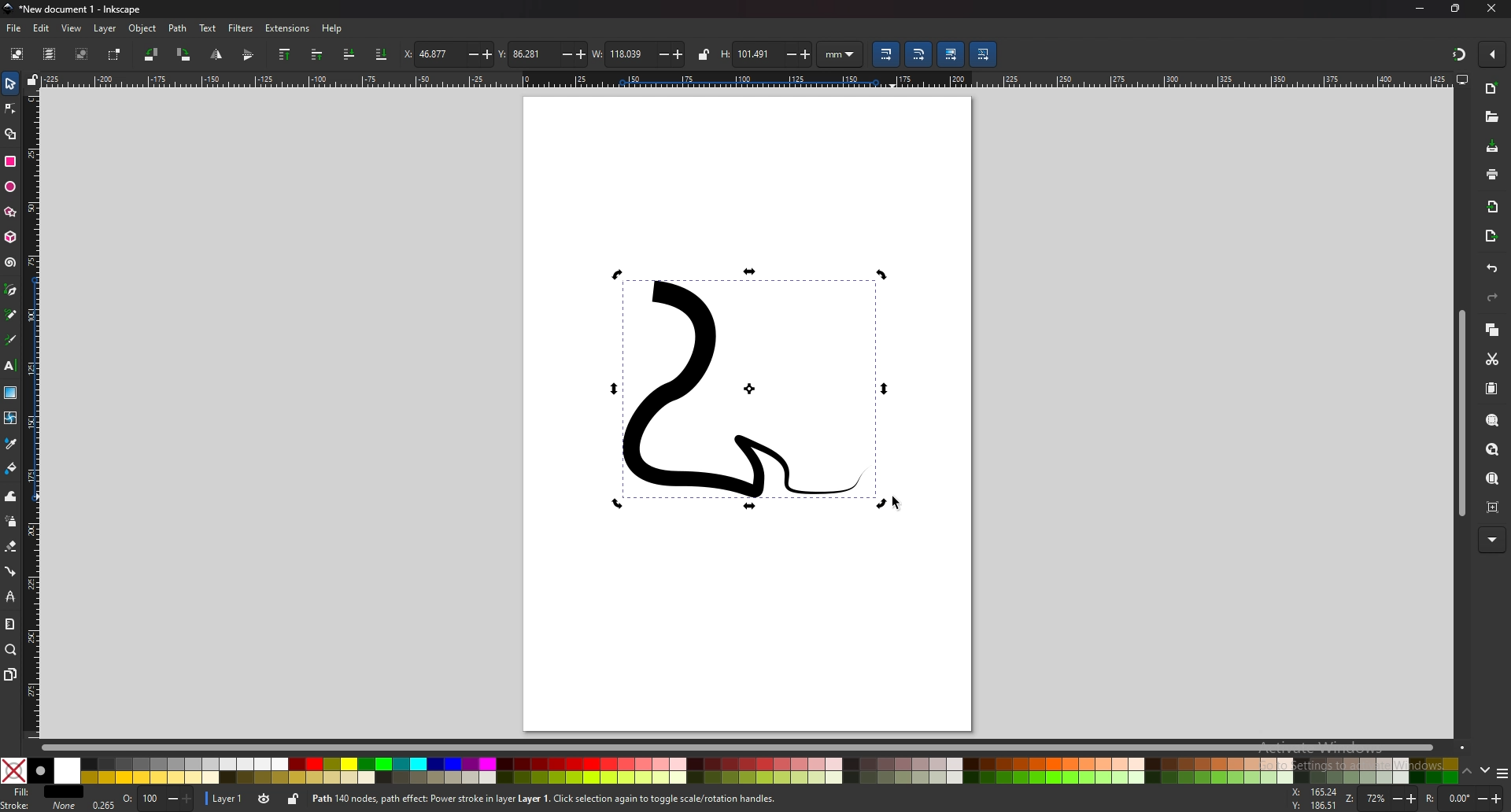 Image resolution: width=1511 pixels, height=812 pixels. I want to click on layer, so click(225, 798).